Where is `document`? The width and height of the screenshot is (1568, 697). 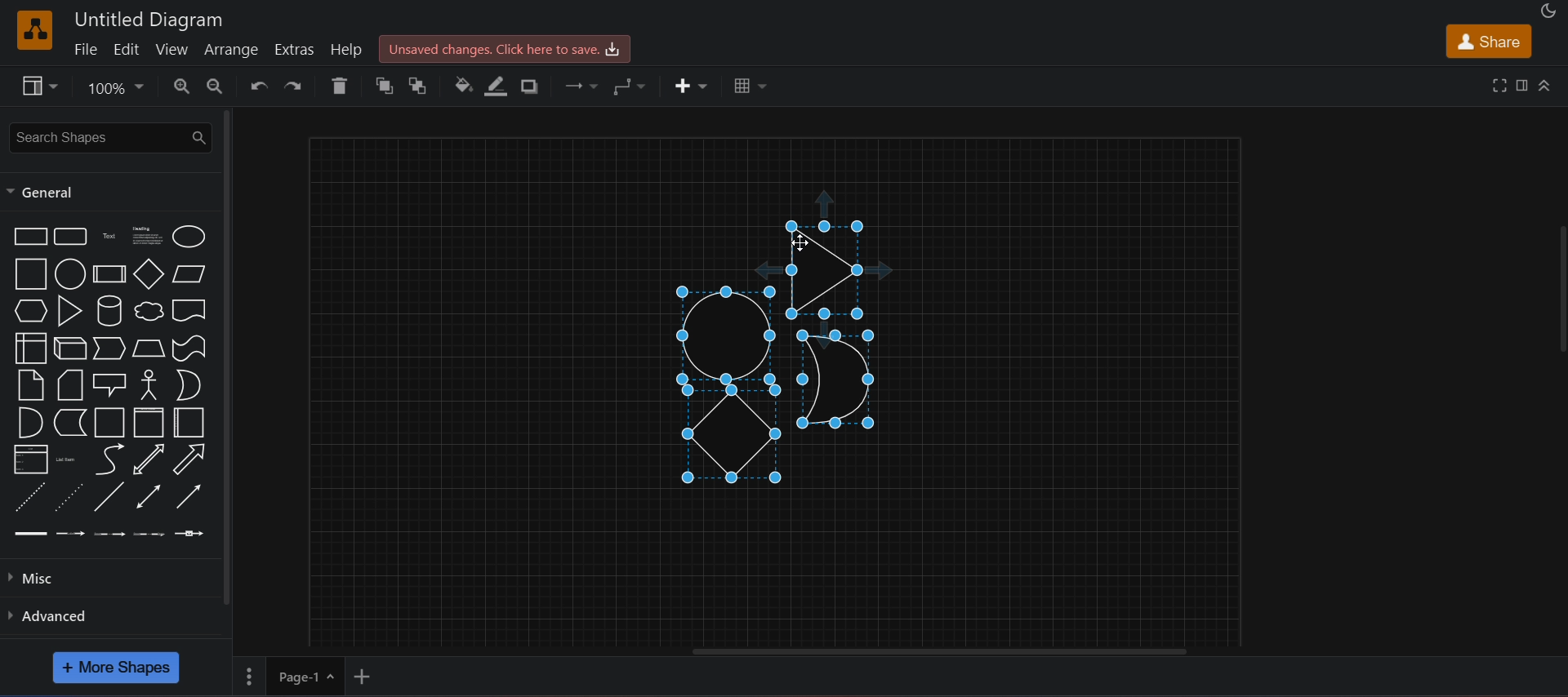 document is located at coordinates (189, 311).